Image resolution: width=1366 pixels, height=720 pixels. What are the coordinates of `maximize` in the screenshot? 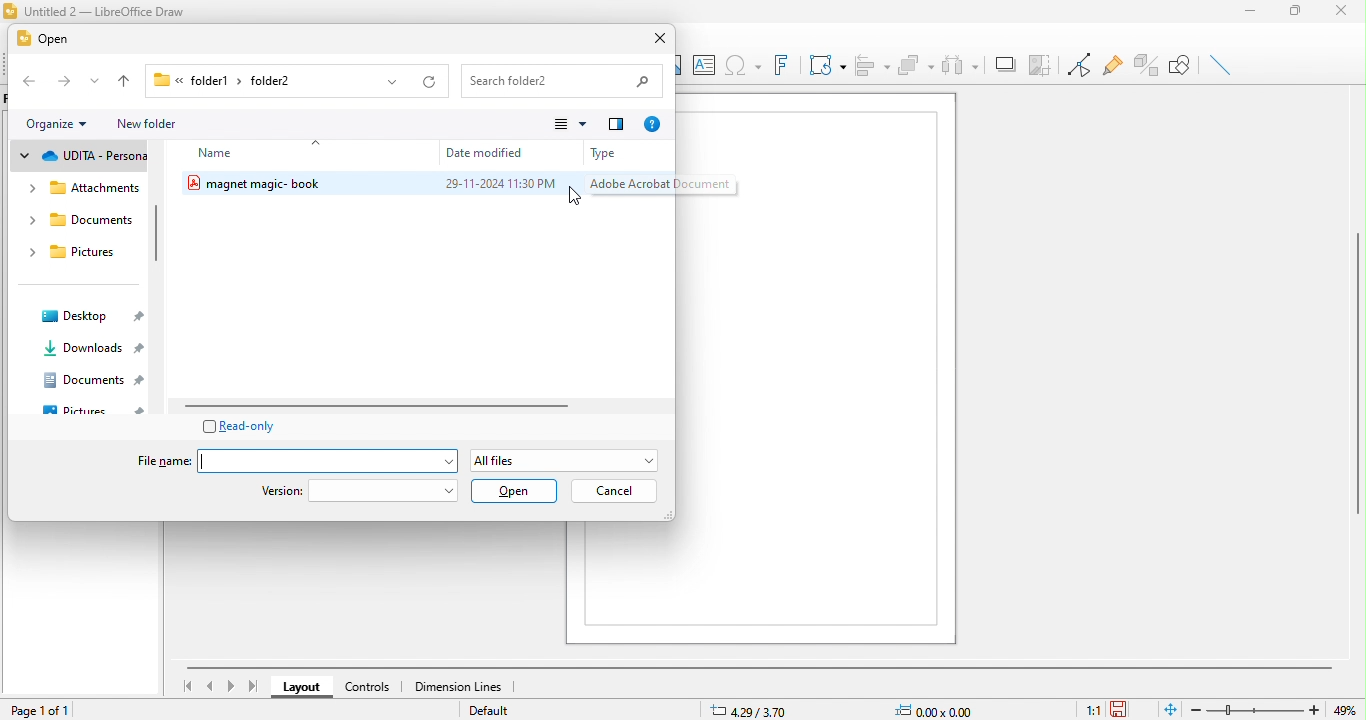 It's located at (1296, 11).